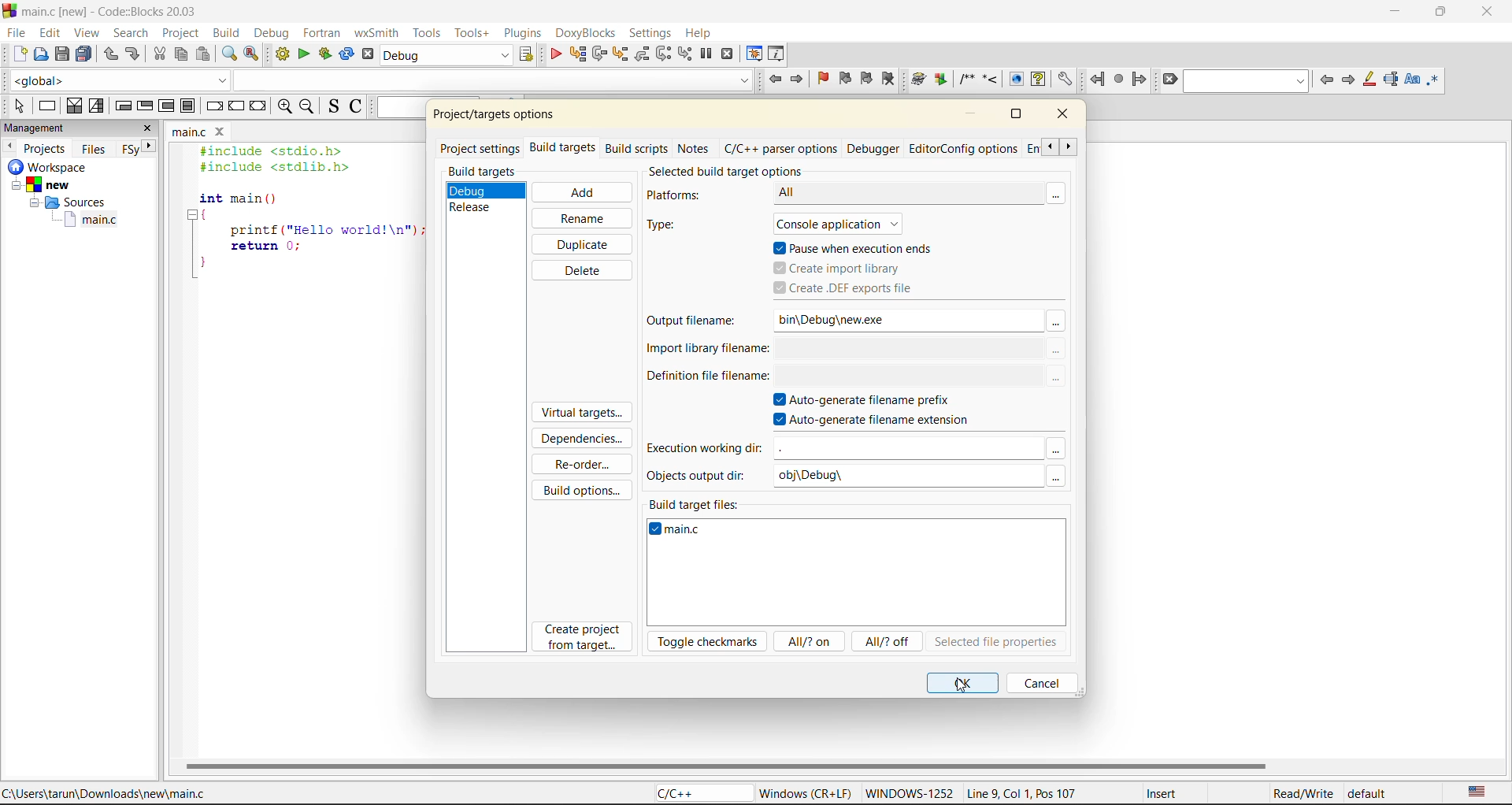 This screenshot has height=805, width=1512. What do you see at coordinates (702, 475) in the screenshot?
I see `objects output dir` at bounding box center [702, 475].